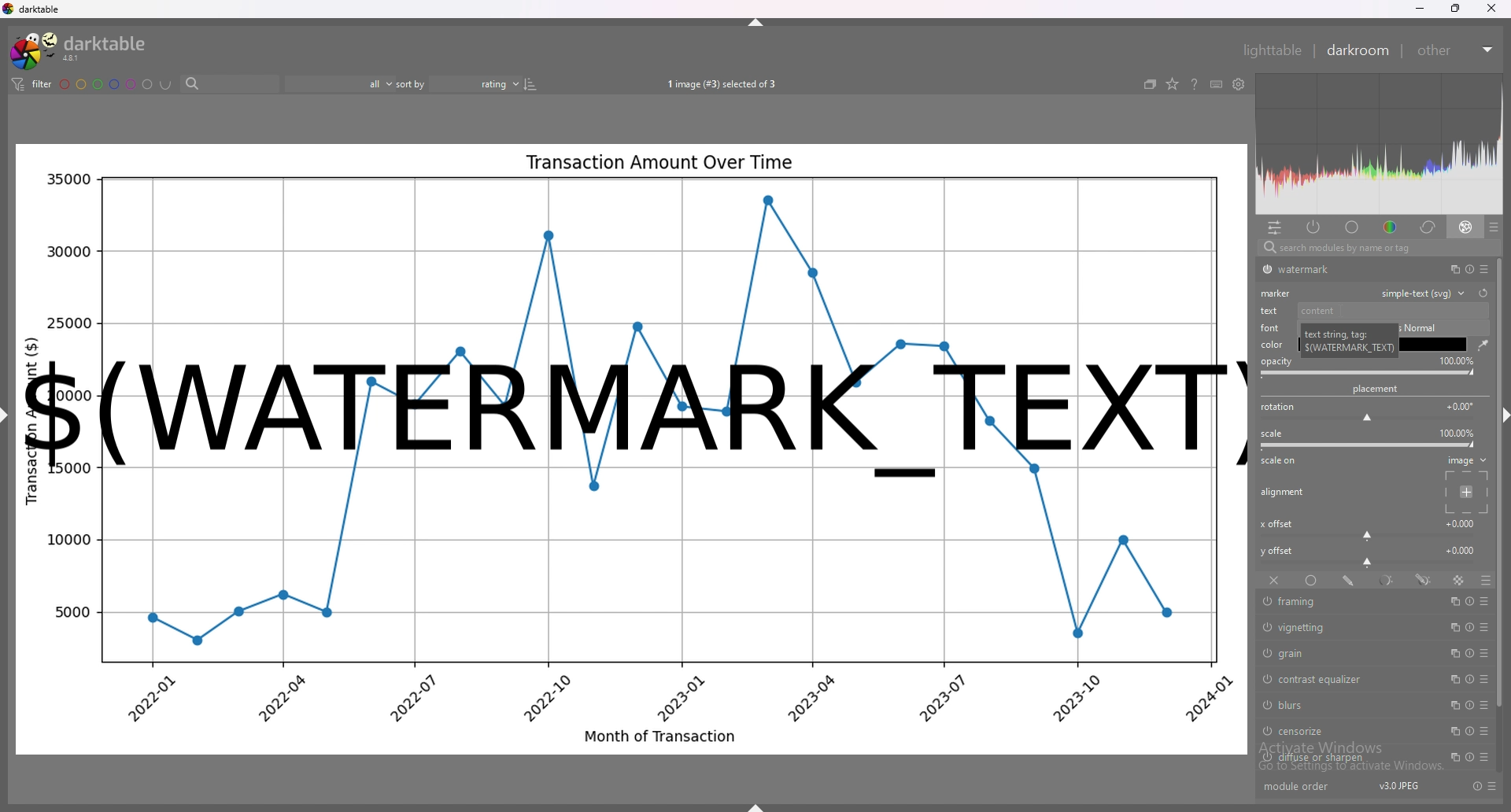  Describe the element at coordinates (1459, 580) in the screenshot. I see `raster mask` at that location.